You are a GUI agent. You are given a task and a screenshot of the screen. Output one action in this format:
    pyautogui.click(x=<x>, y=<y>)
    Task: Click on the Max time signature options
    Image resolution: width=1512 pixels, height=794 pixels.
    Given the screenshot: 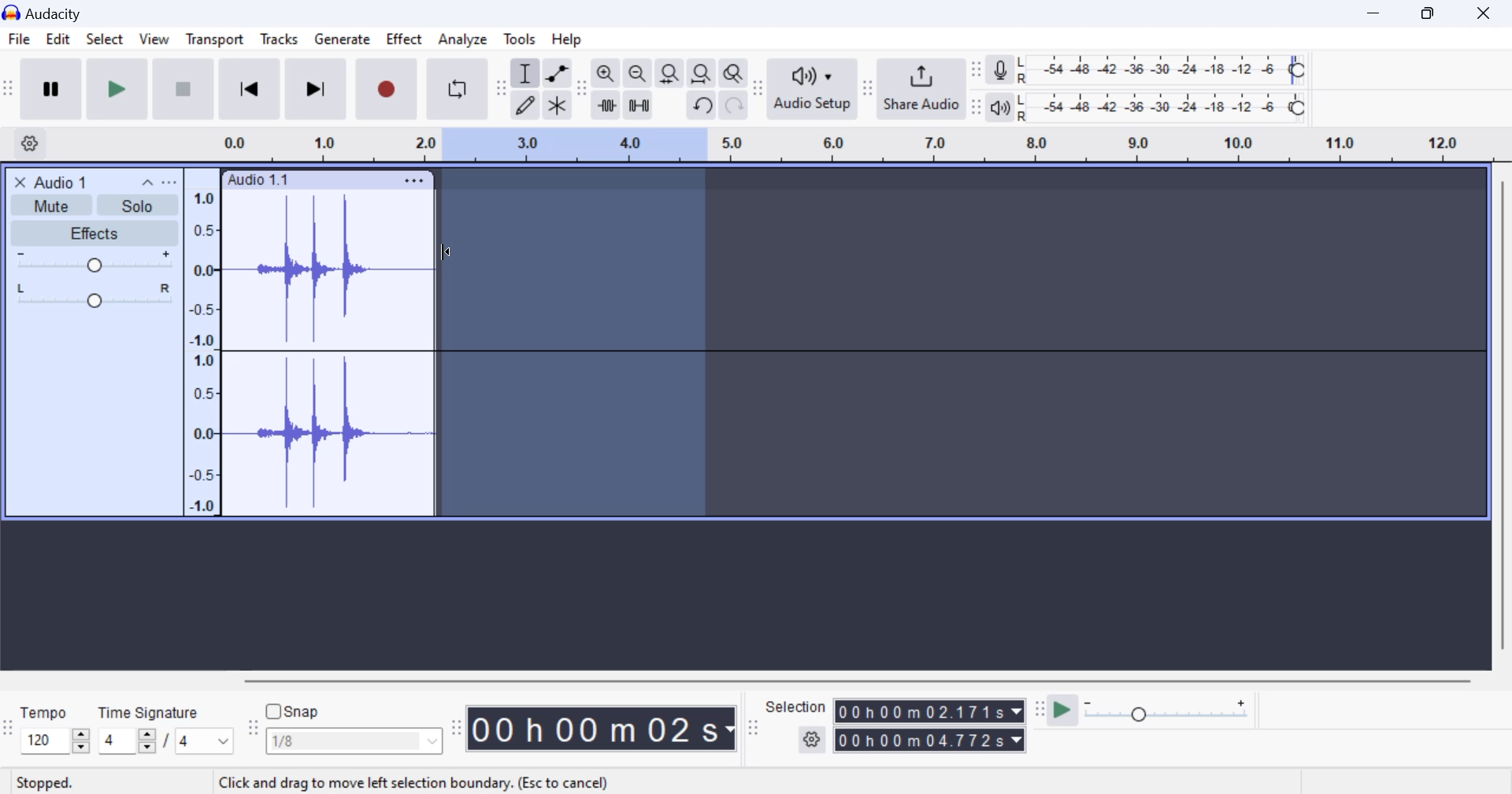 What is the action you would take?
    pyautogui.click(x=205, y=742)
    